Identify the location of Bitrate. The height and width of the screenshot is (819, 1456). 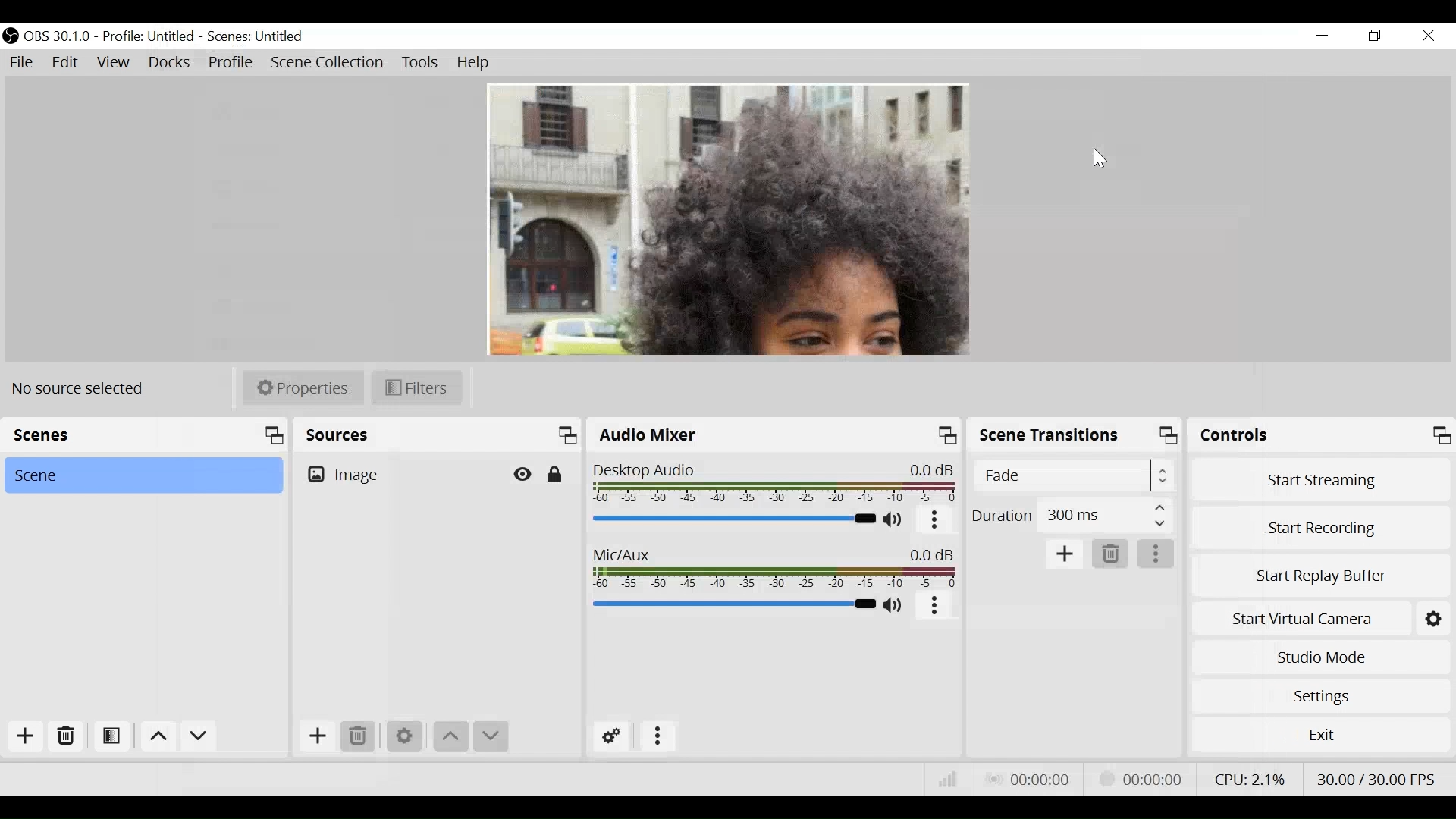
(949, 783).